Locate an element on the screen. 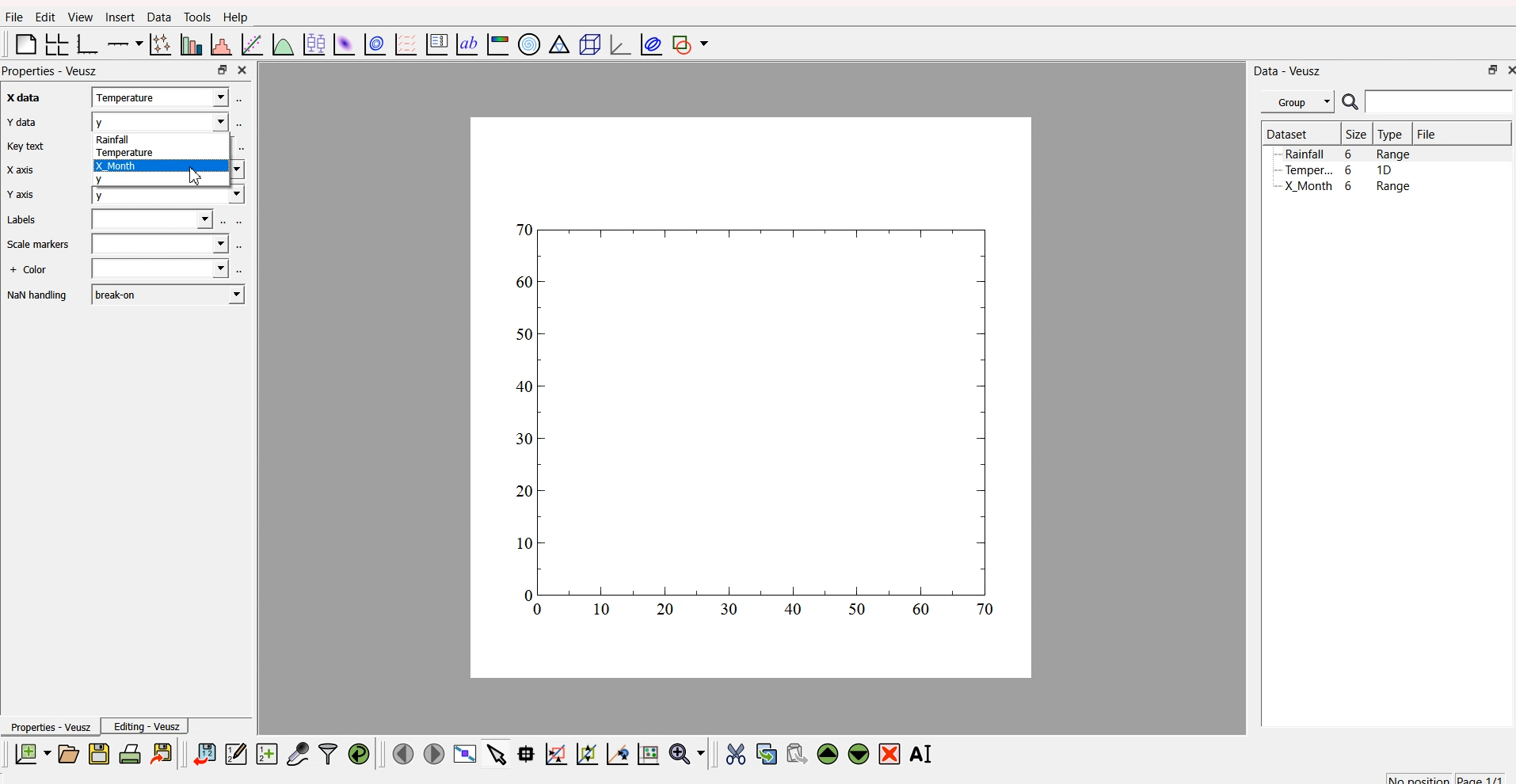  Rainfall 6 Range is located at coordinates (1350, 154).